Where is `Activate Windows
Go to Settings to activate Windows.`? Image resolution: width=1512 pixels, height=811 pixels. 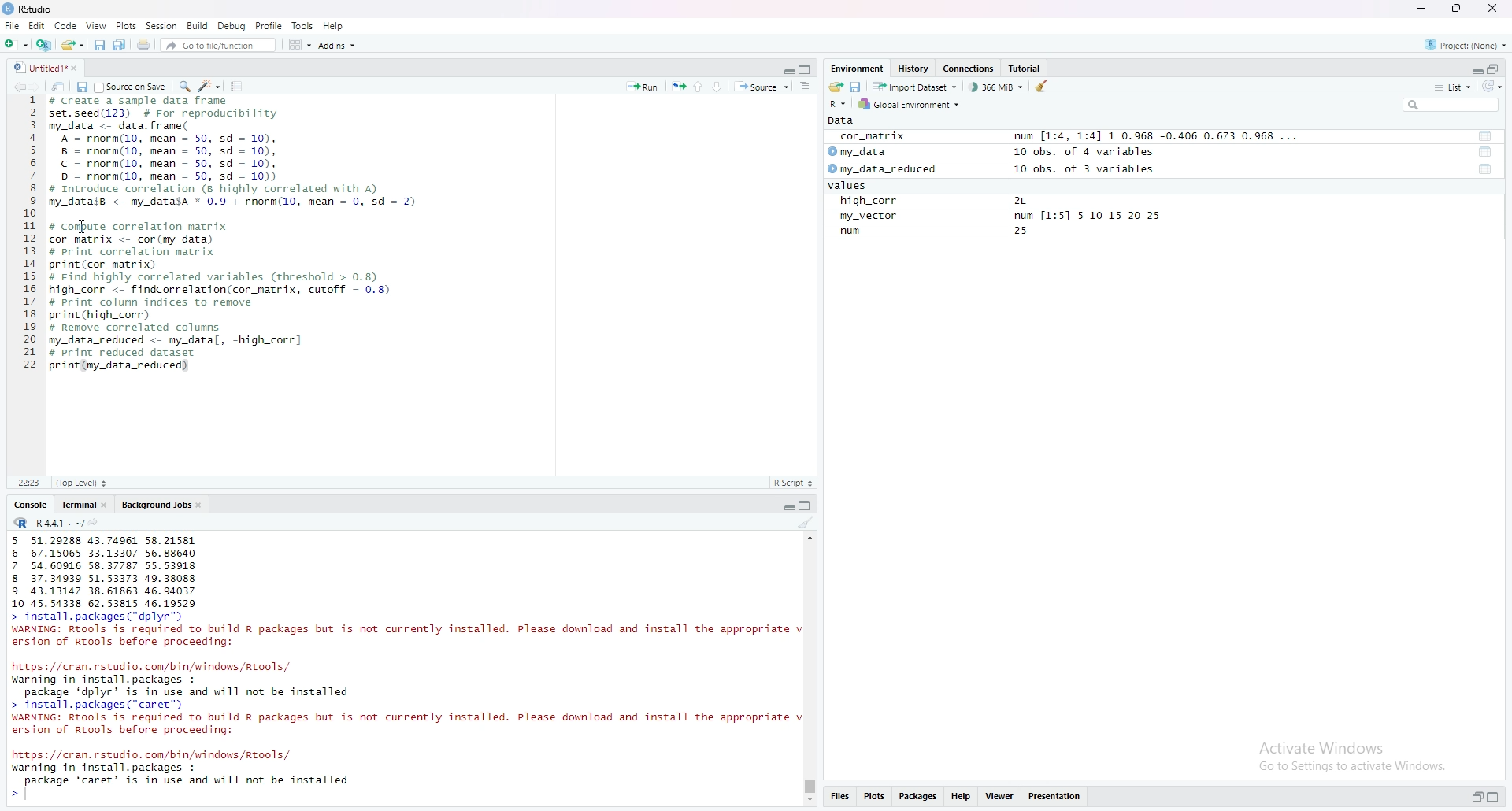
Activate Windows
Go to Settings to activate Windows. is located at coordinates (1354, 758).